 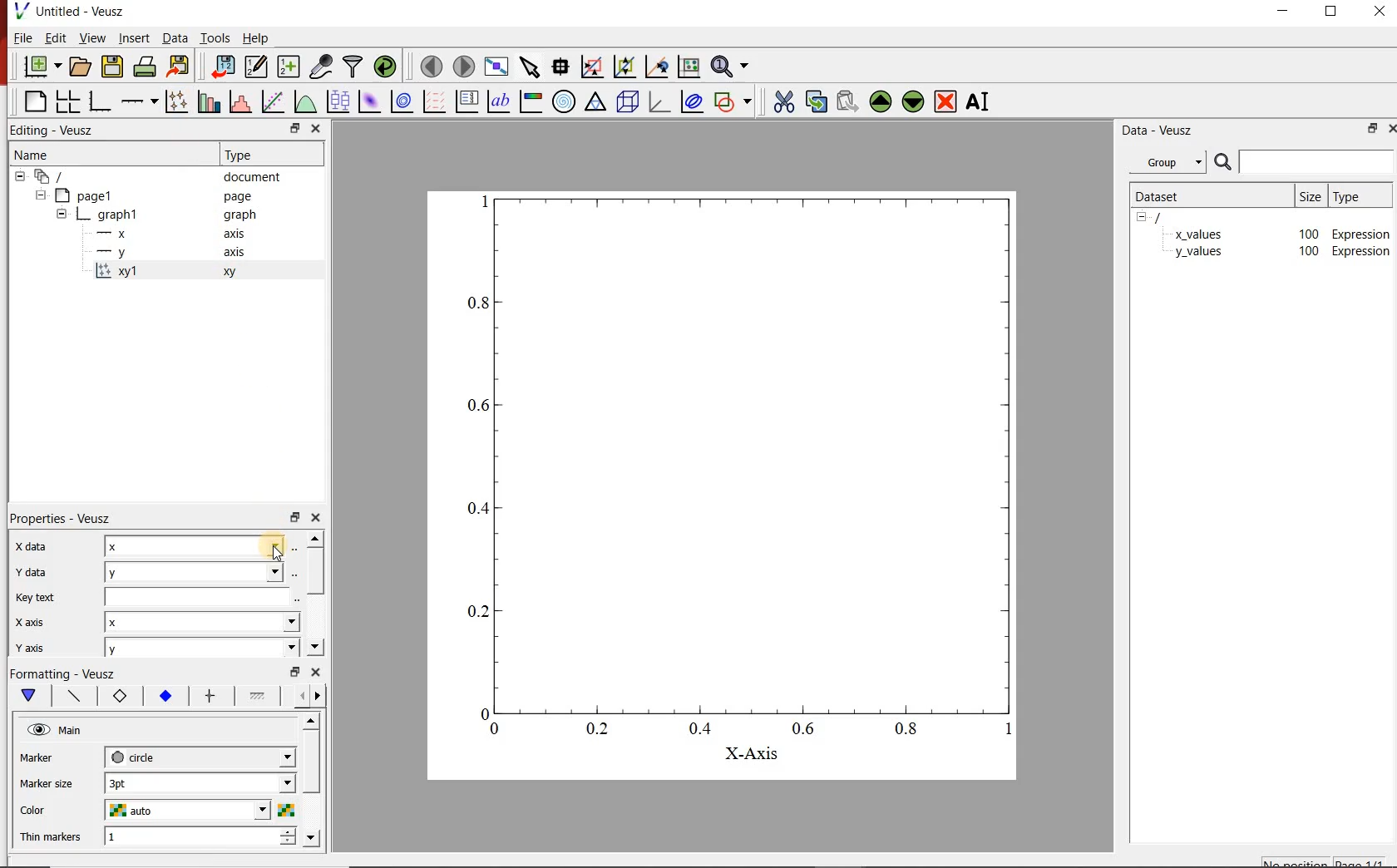 I want to click on arrange graphs in a grid, so click(x=67, y=102).